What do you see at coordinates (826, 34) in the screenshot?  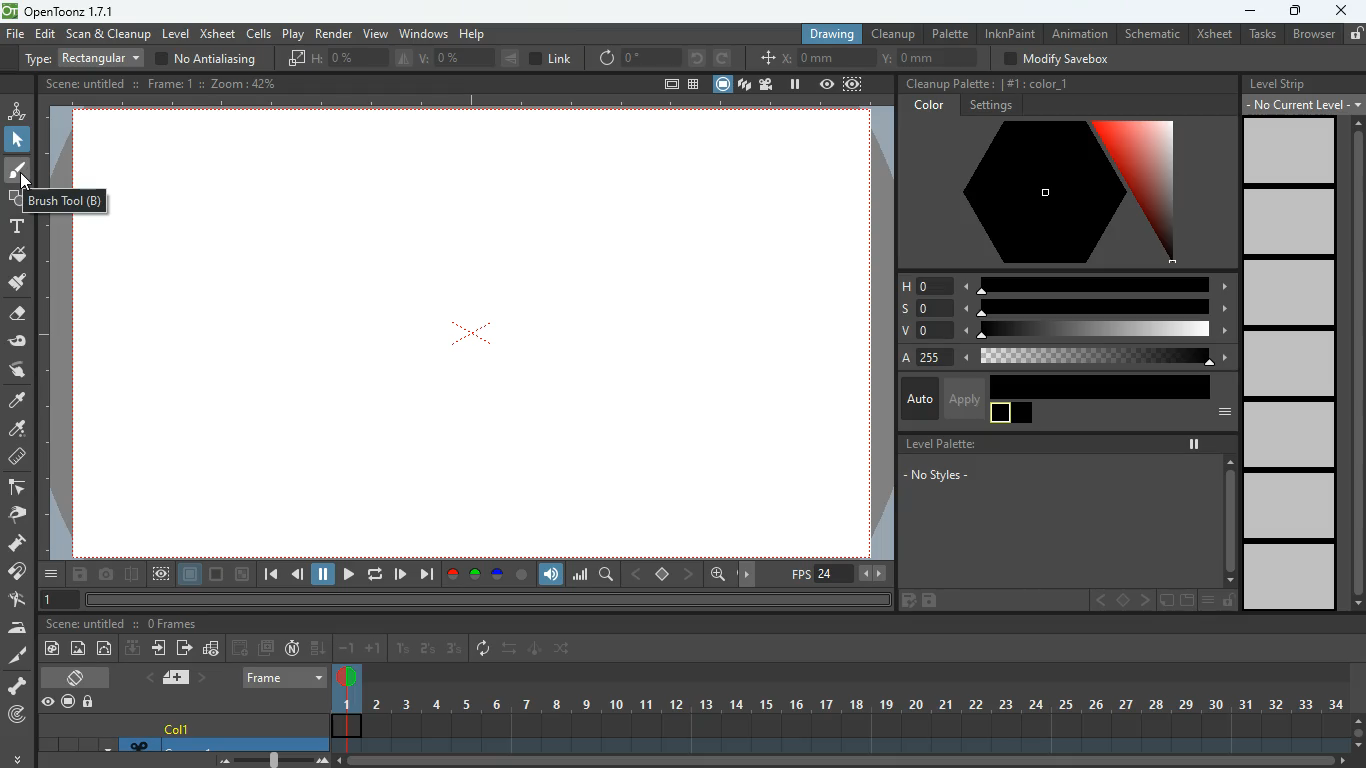 I see `drawing` at bounding box center [826, 34].